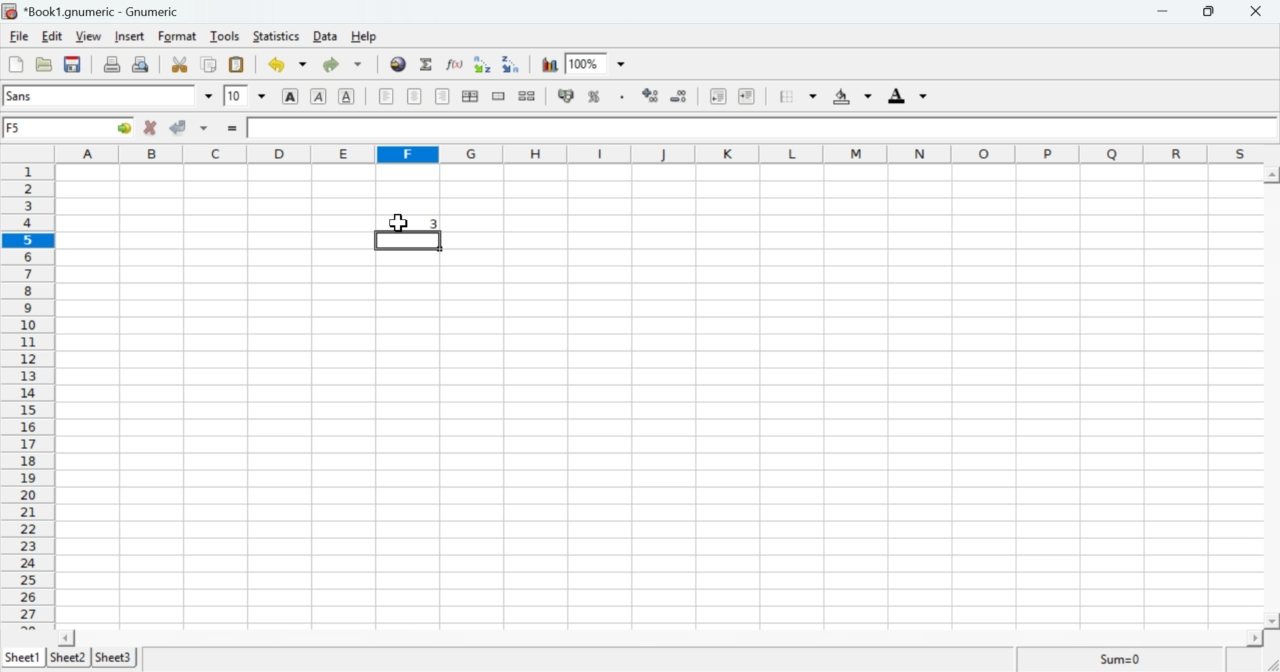 This screenshot has height=672, width=1280. Describe the element at coordinates (499, 97) in the screenshot. I see `Merge cells` at that location.